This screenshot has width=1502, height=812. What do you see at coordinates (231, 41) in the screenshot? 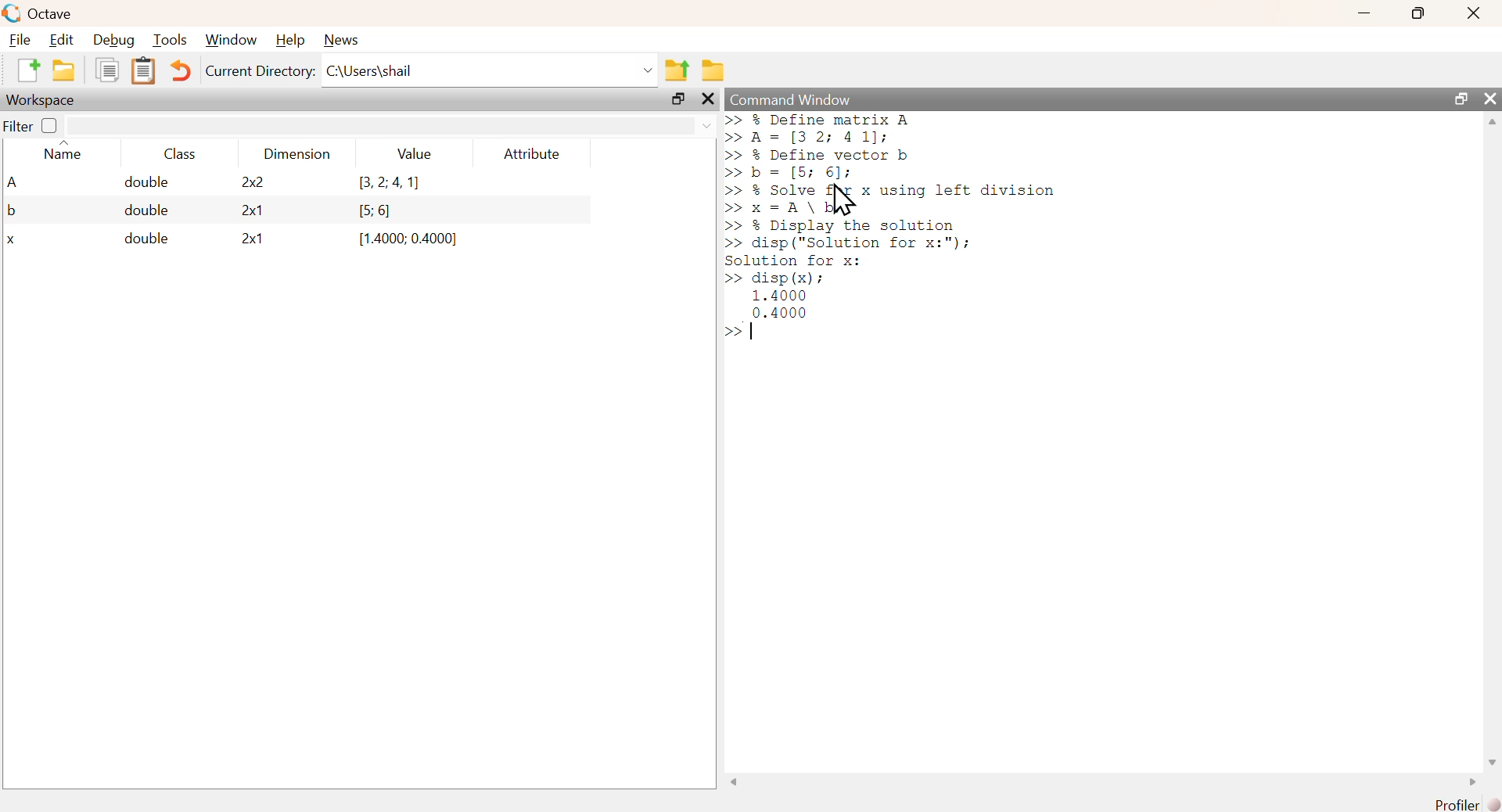
I see `window` at bounding box center [231, 41].